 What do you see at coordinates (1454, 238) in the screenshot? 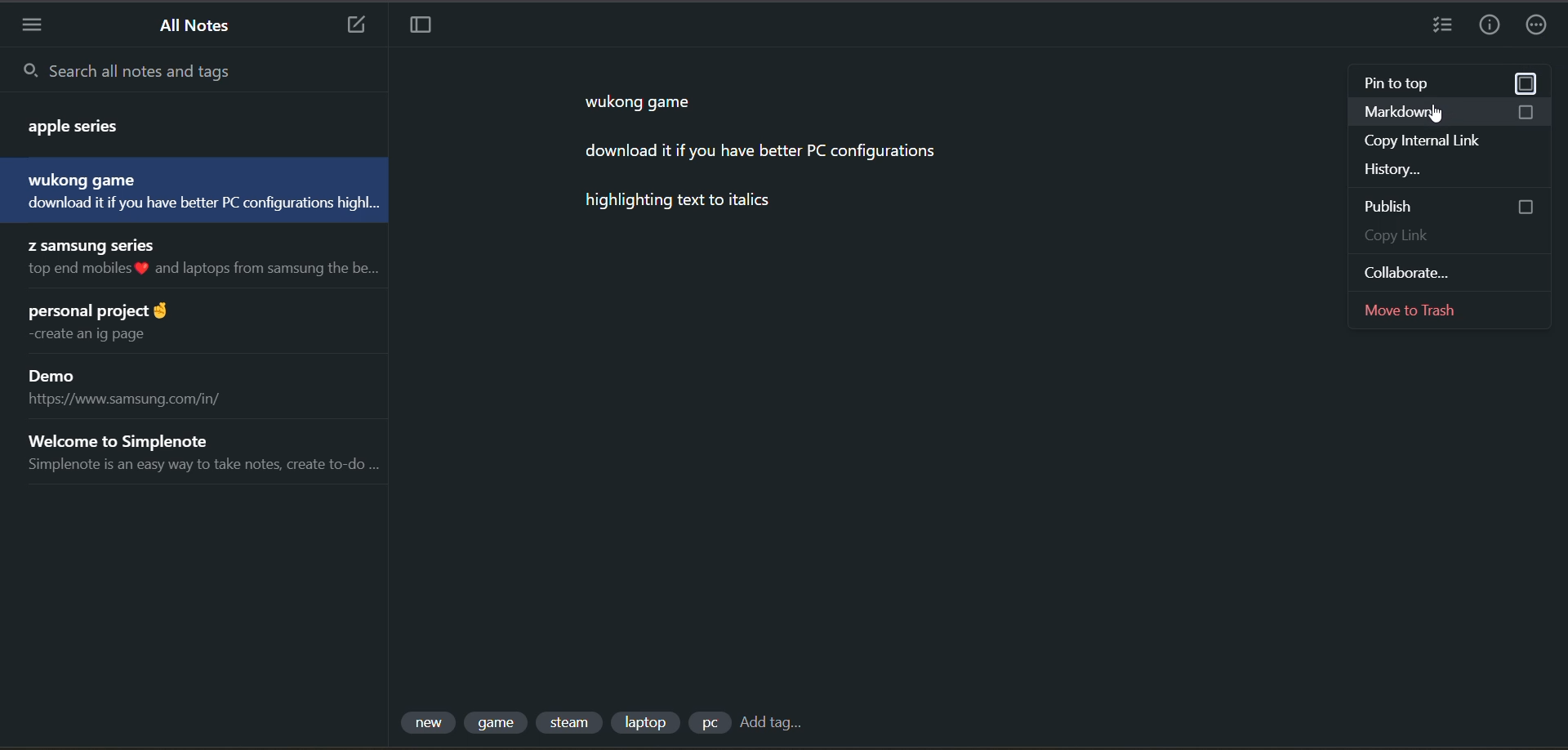
I see `copy link` at bounding box center [1454, 238].